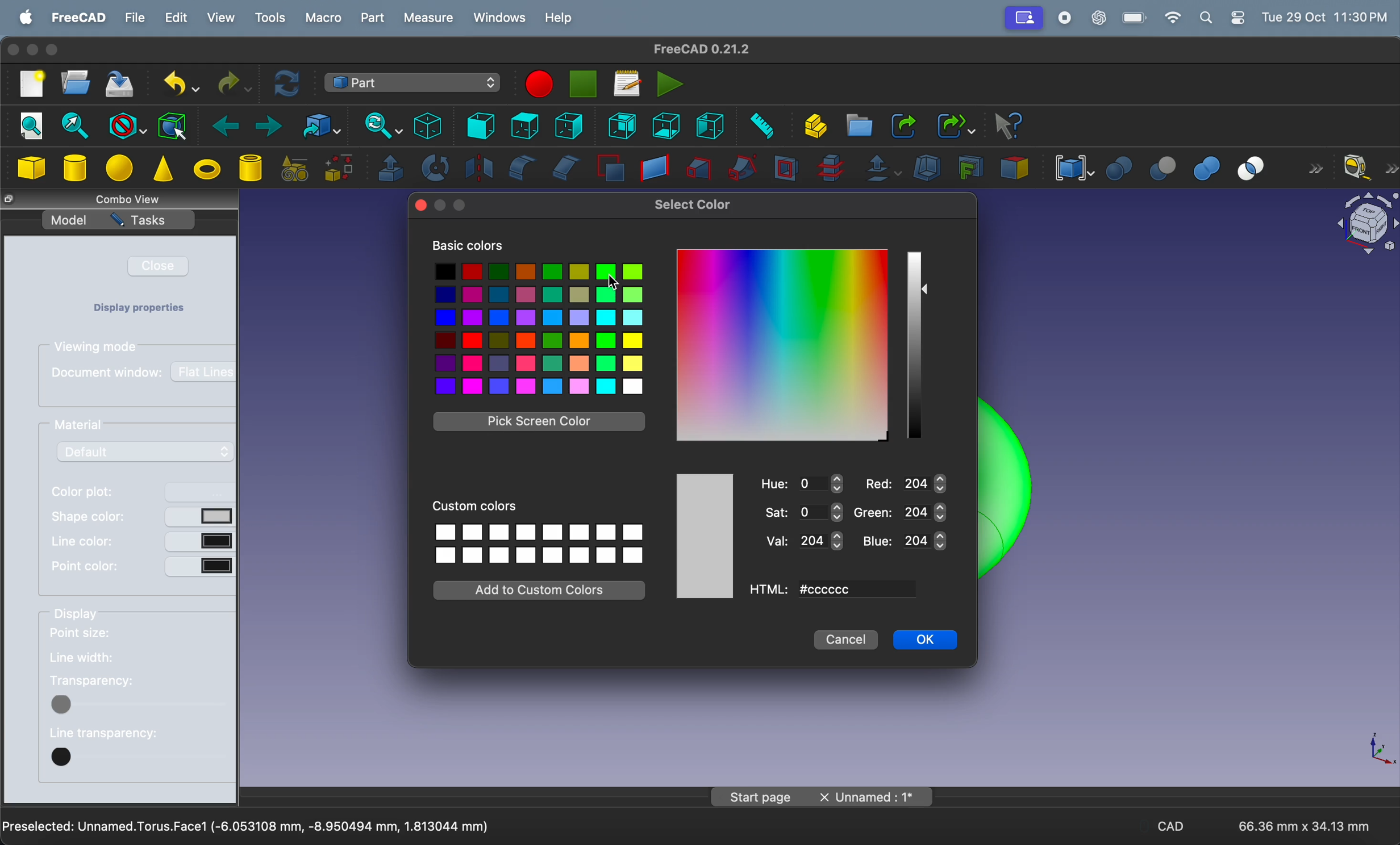 The height and width of the screenshot is (845, 1400). Describe the element at coordinates (71, 127) in the screenshot. I see `fit section` at that location.